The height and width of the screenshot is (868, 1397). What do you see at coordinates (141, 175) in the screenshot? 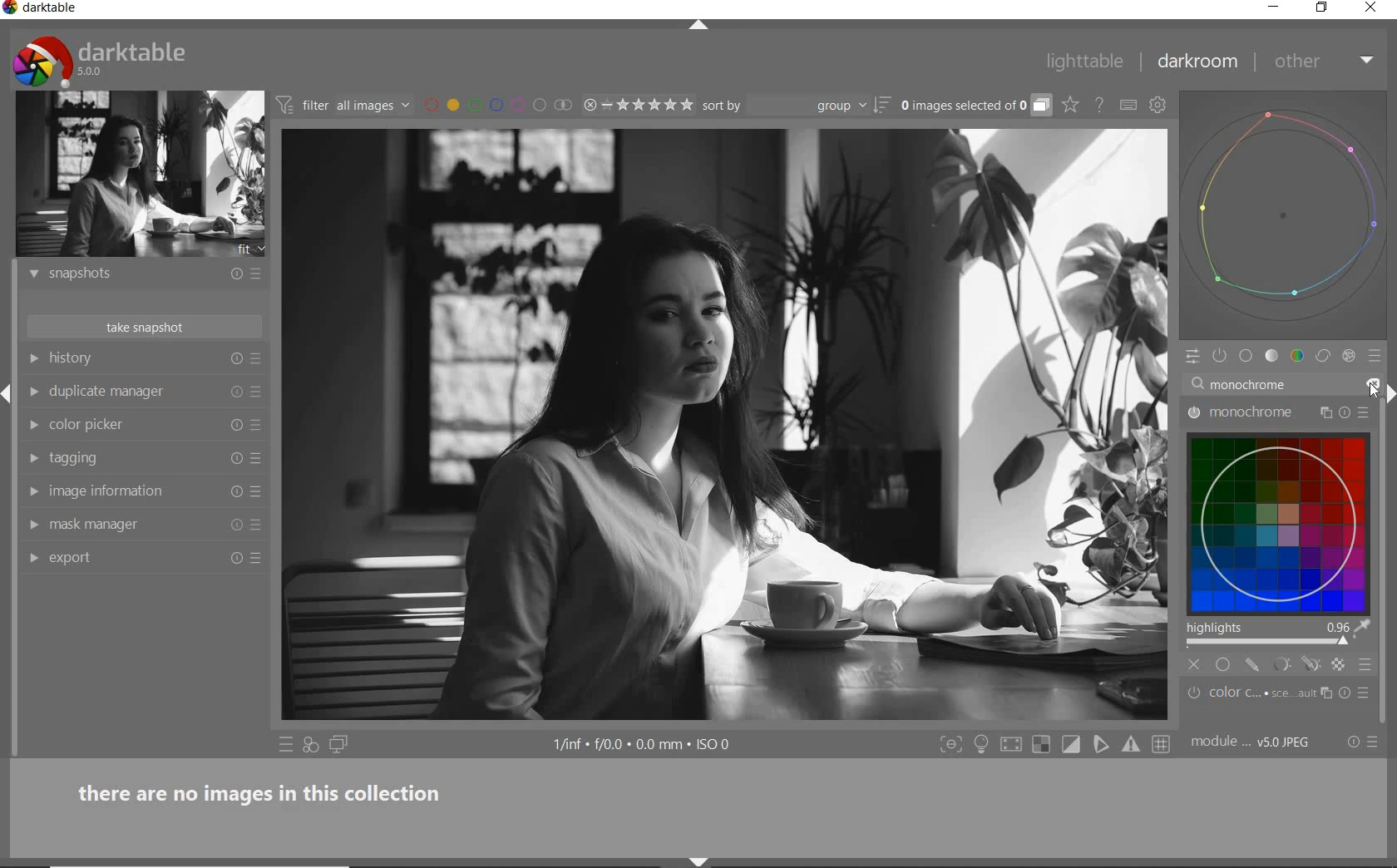
I see `image preview` at bounding box center [141, 175].